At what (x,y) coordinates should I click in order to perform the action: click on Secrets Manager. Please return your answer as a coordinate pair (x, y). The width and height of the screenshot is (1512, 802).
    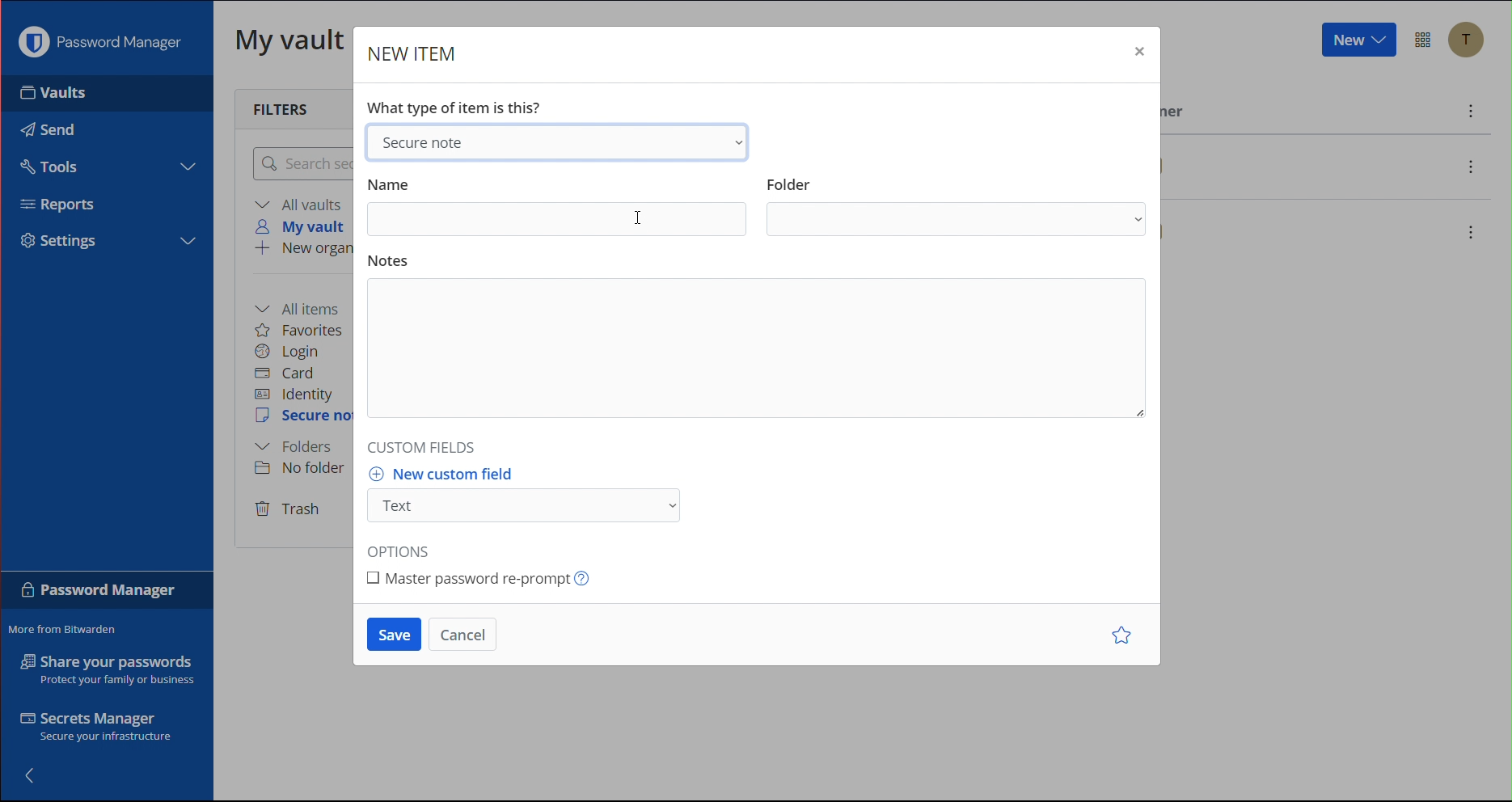
    Looking at the image, I should click on (94, 726).